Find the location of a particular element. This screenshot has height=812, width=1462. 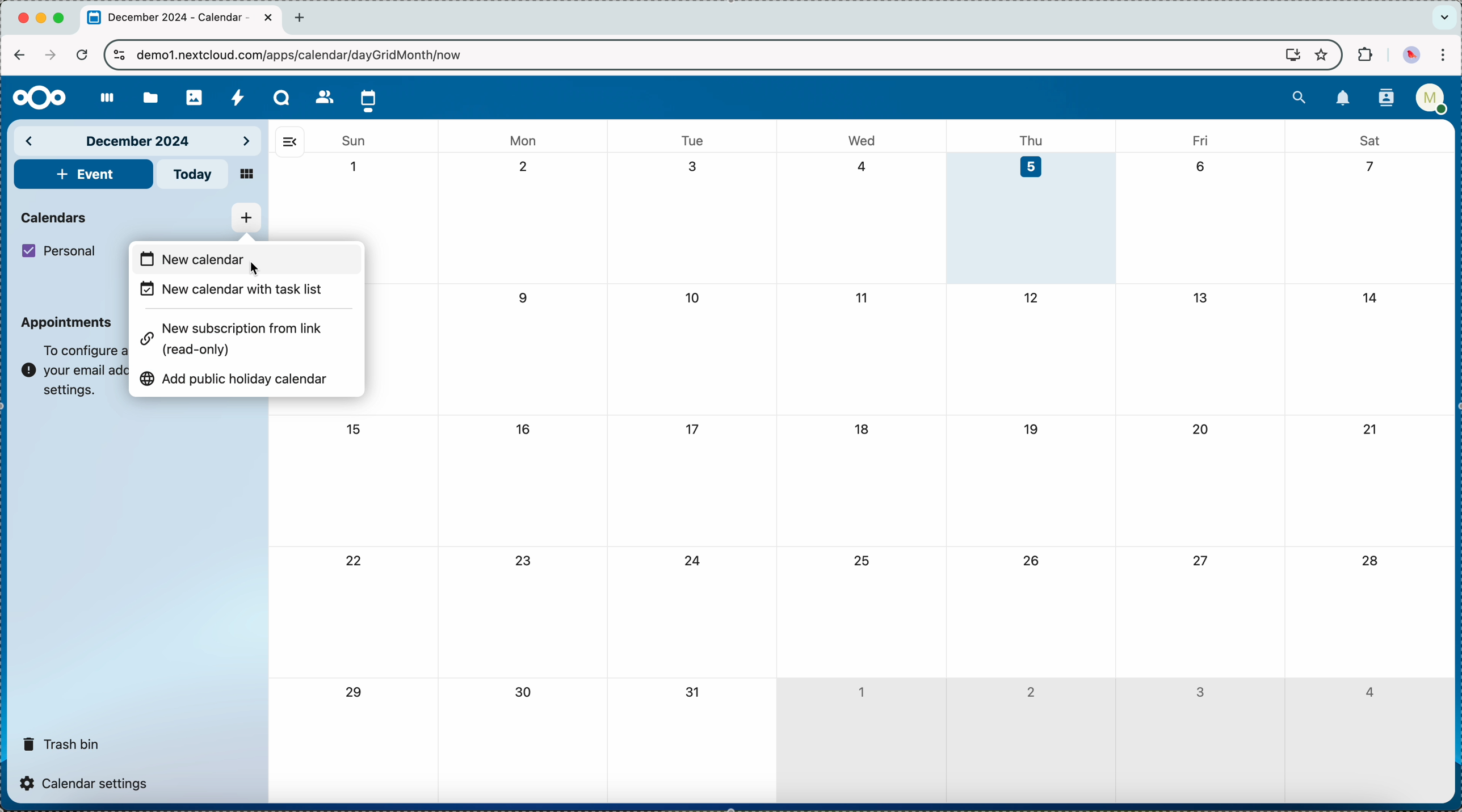

22 is located at coordinates (355, 563).